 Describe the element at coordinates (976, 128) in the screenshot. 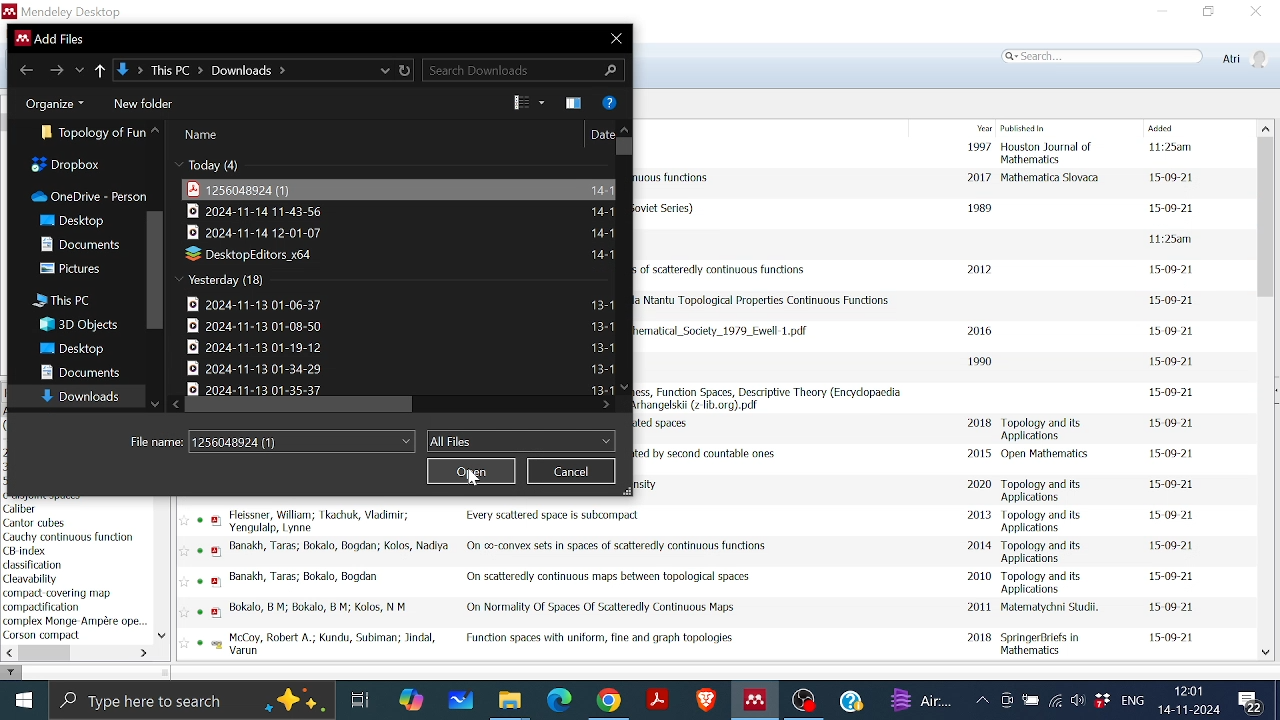

I see `Year` at that location.